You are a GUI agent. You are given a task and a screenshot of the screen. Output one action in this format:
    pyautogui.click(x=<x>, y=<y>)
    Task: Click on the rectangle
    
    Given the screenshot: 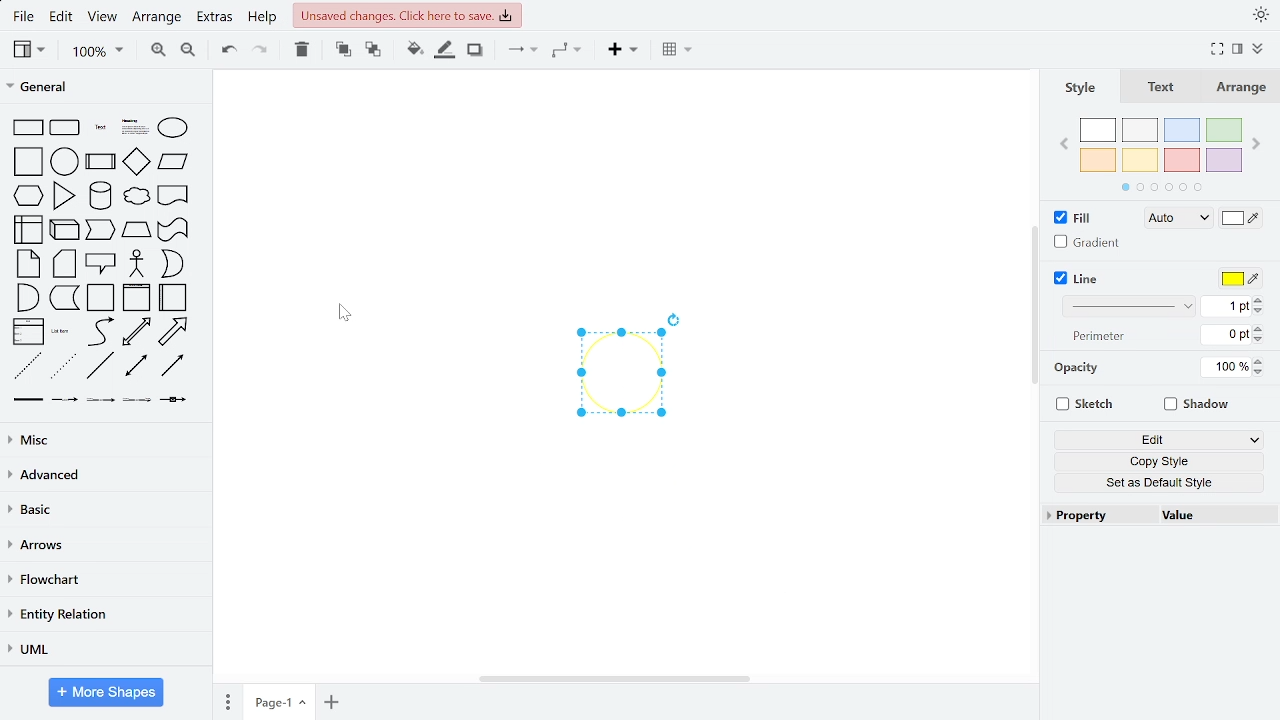 What is the action you would take?
    pyautogui.click(x=29, y=127)
    